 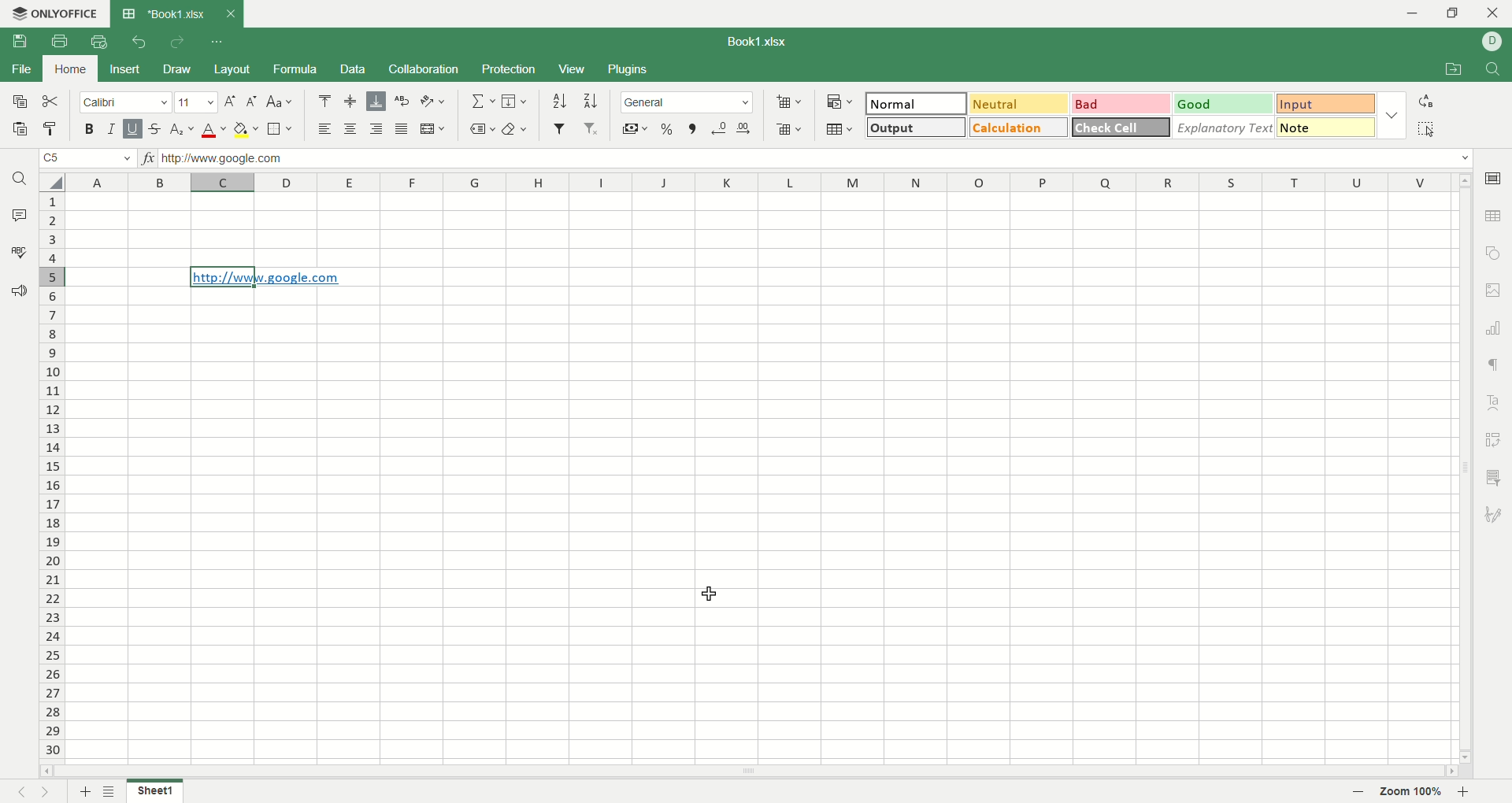 I want to click on feedback and support, so click(x=20, y=291).